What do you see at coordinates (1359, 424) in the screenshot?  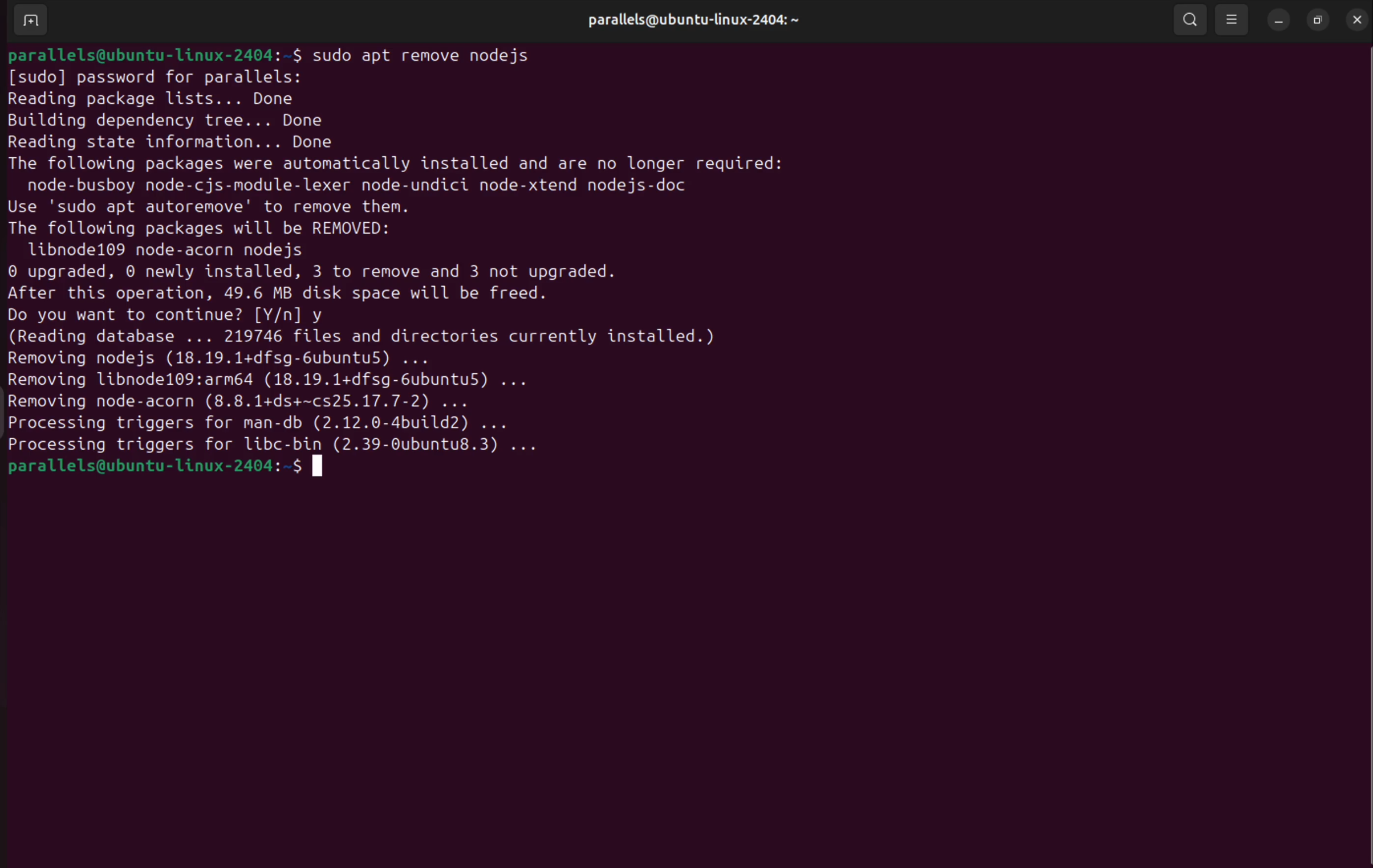 I see `Scrollbar` at bounding box center [1359, 424].